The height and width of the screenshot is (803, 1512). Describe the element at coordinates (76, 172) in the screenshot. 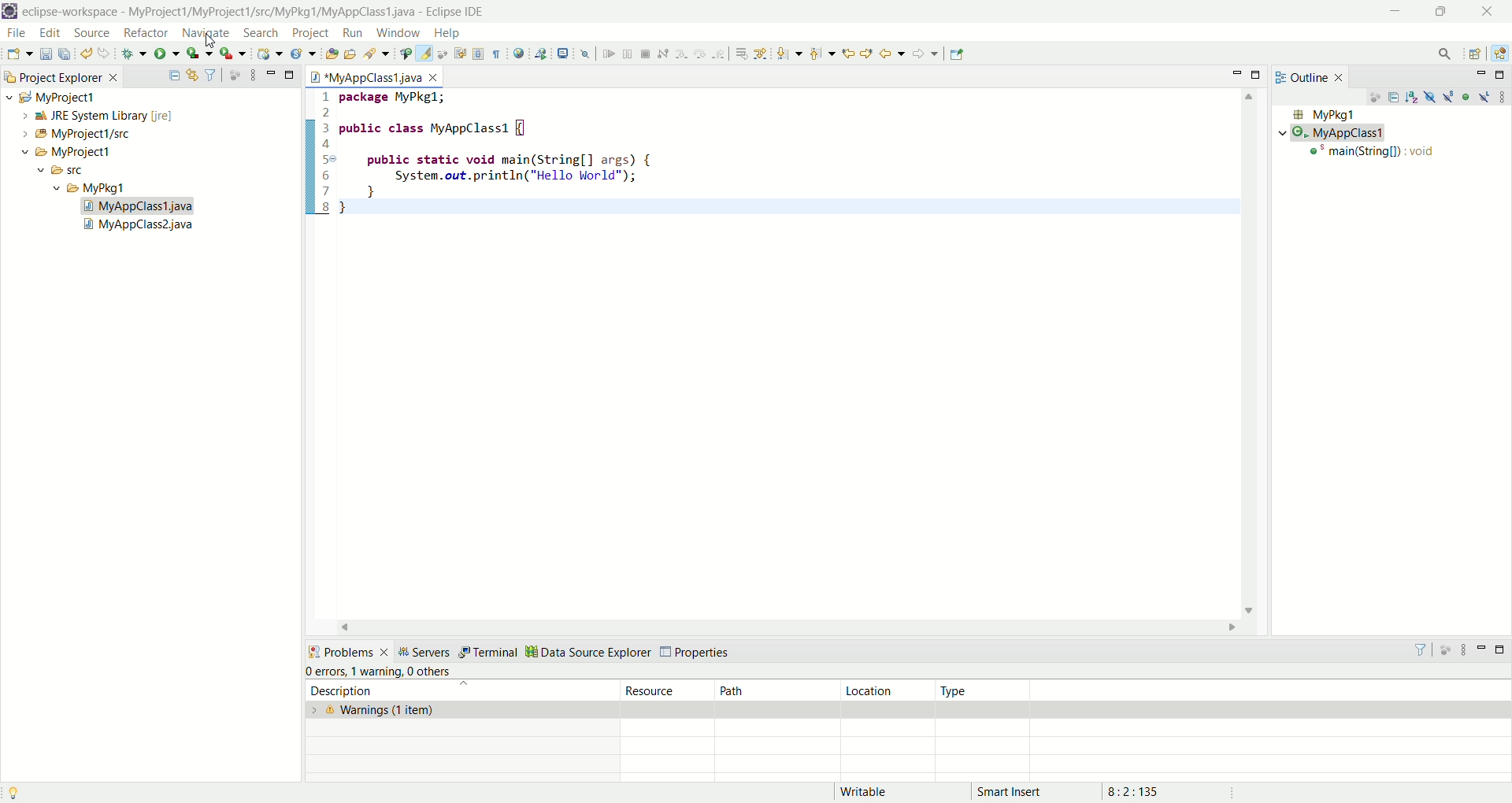

I see `src` at that location.